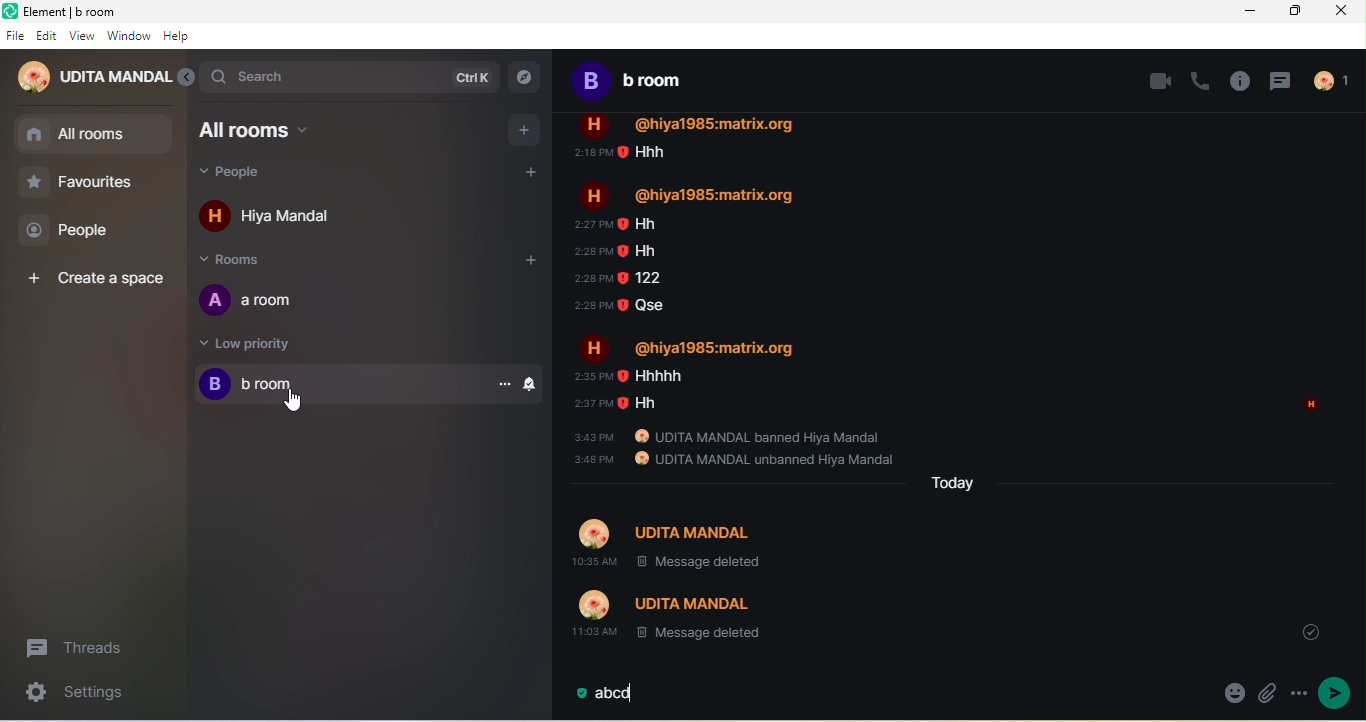  I want to click on people, so click(254, 174).